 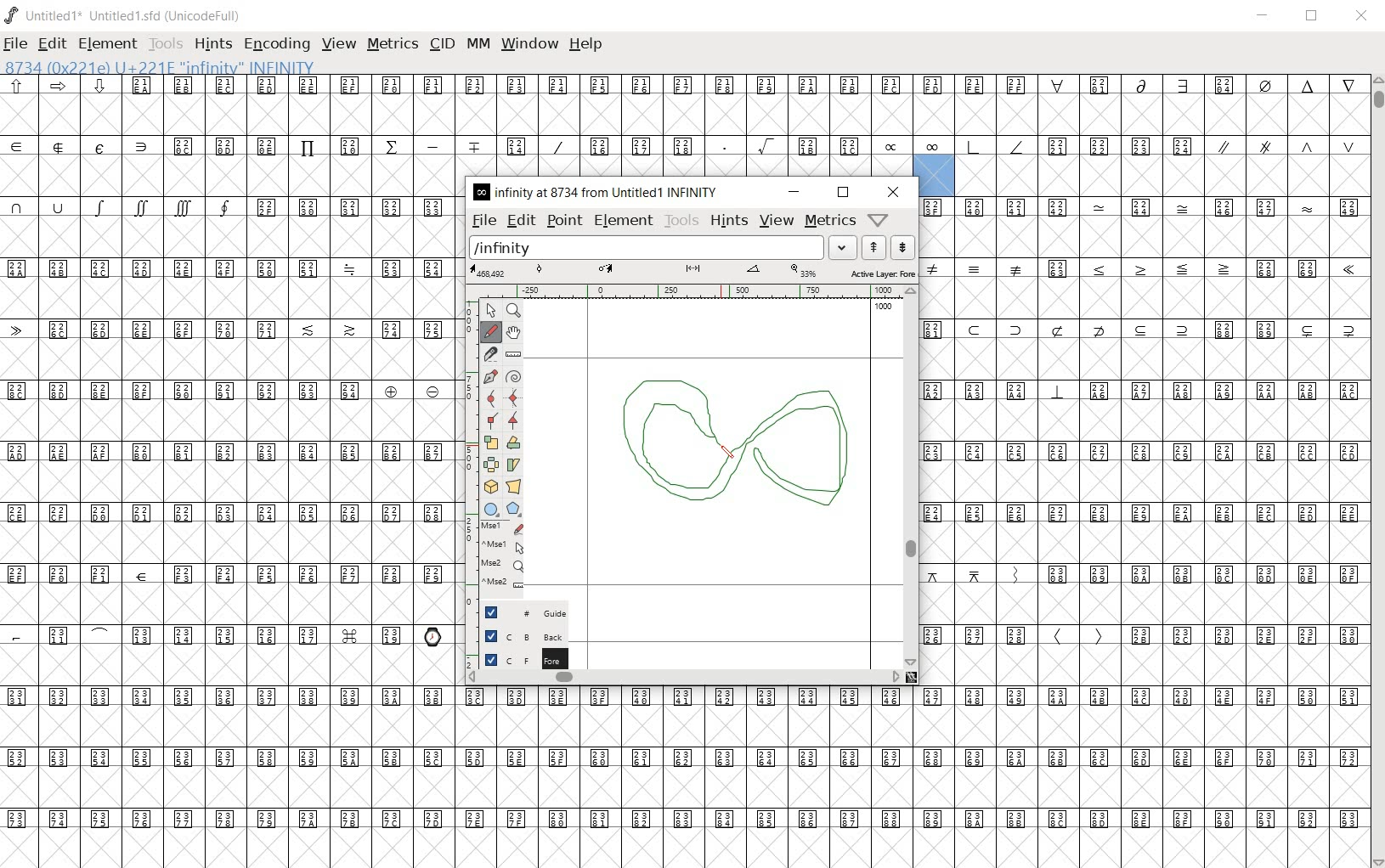 I want to click on edited glyph, so click(x=691, y=848).